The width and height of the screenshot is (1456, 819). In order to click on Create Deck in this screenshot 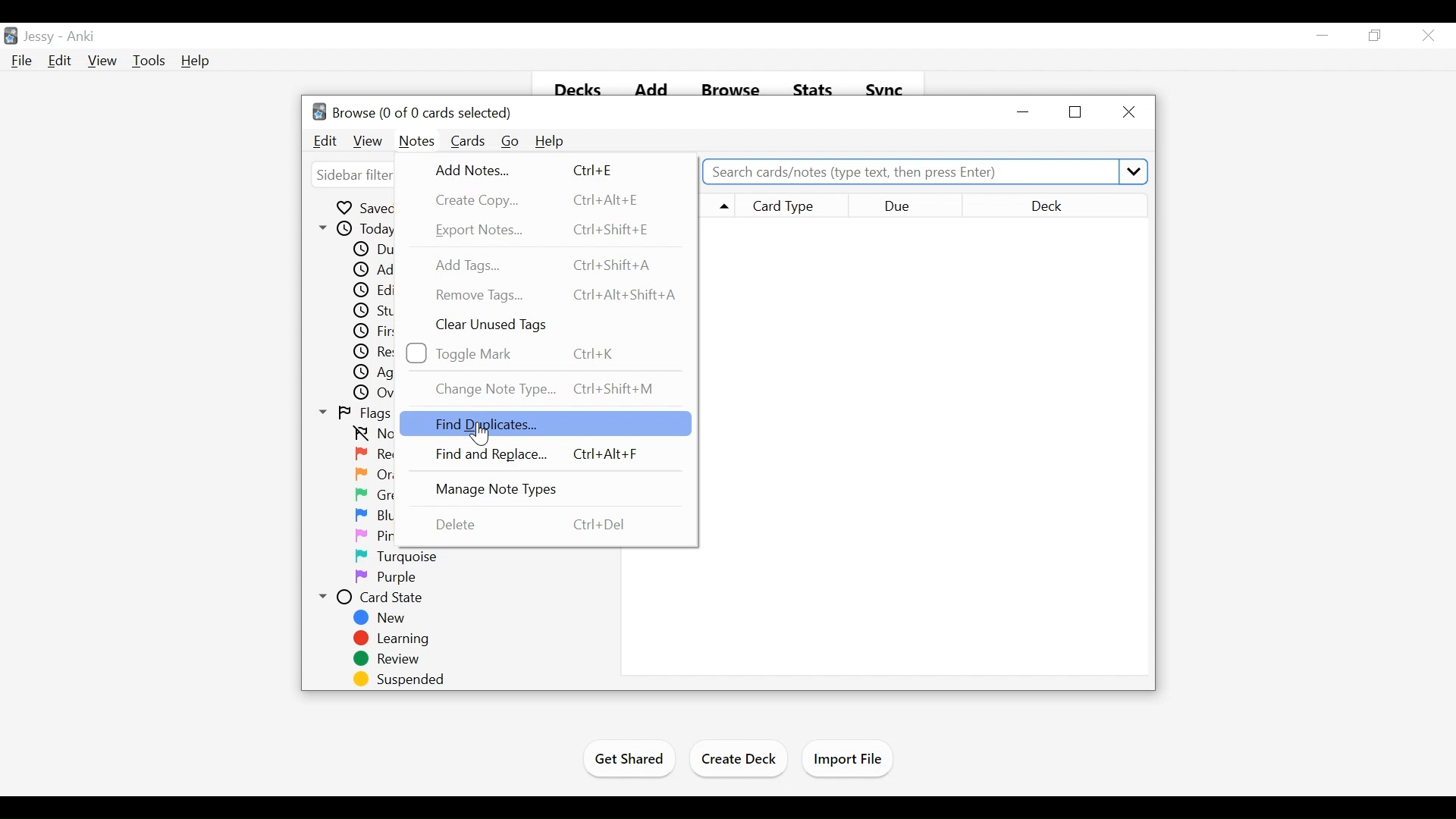, I will do `click(739, 761)`.